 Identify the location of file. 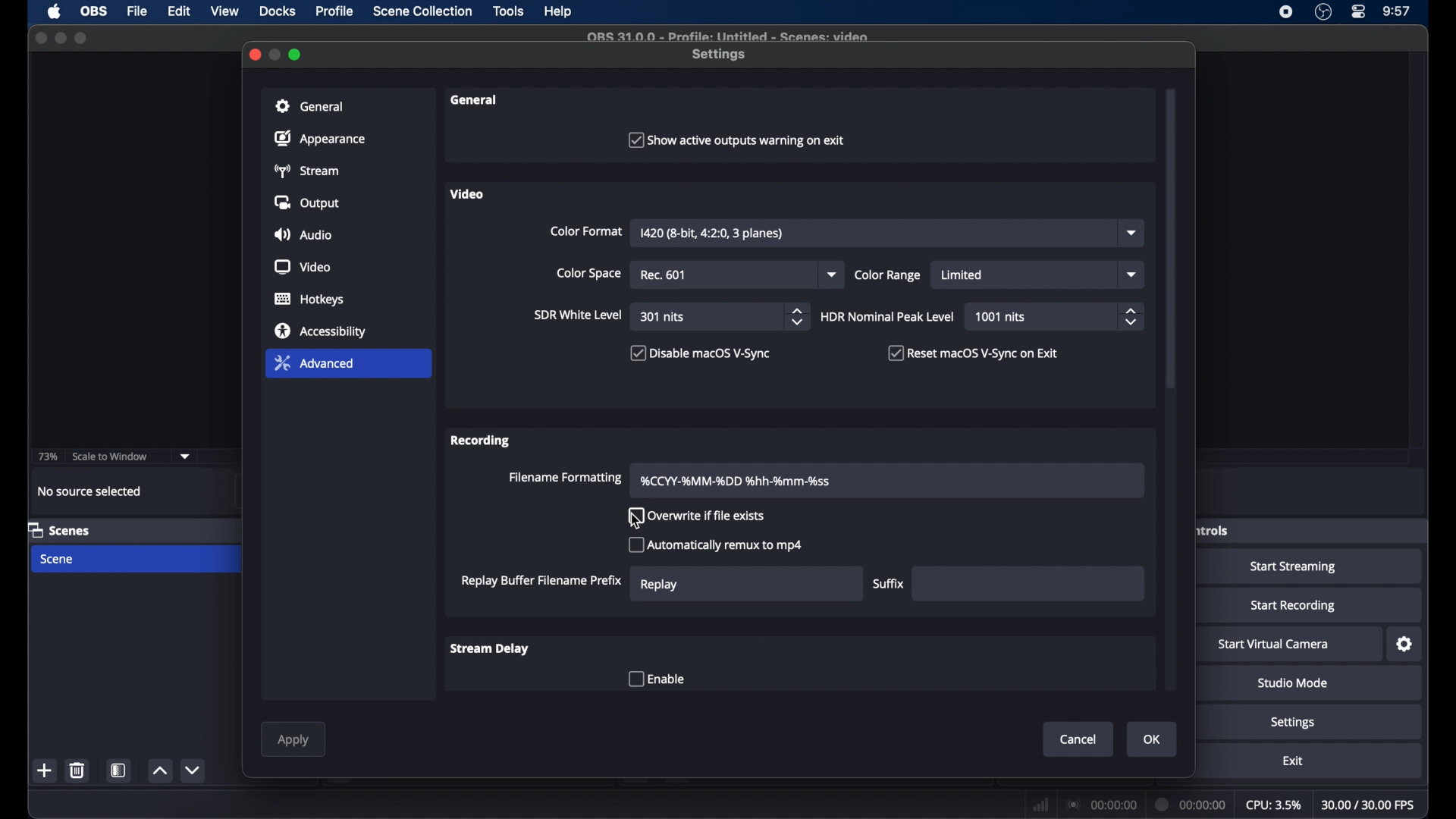
(138, 12).